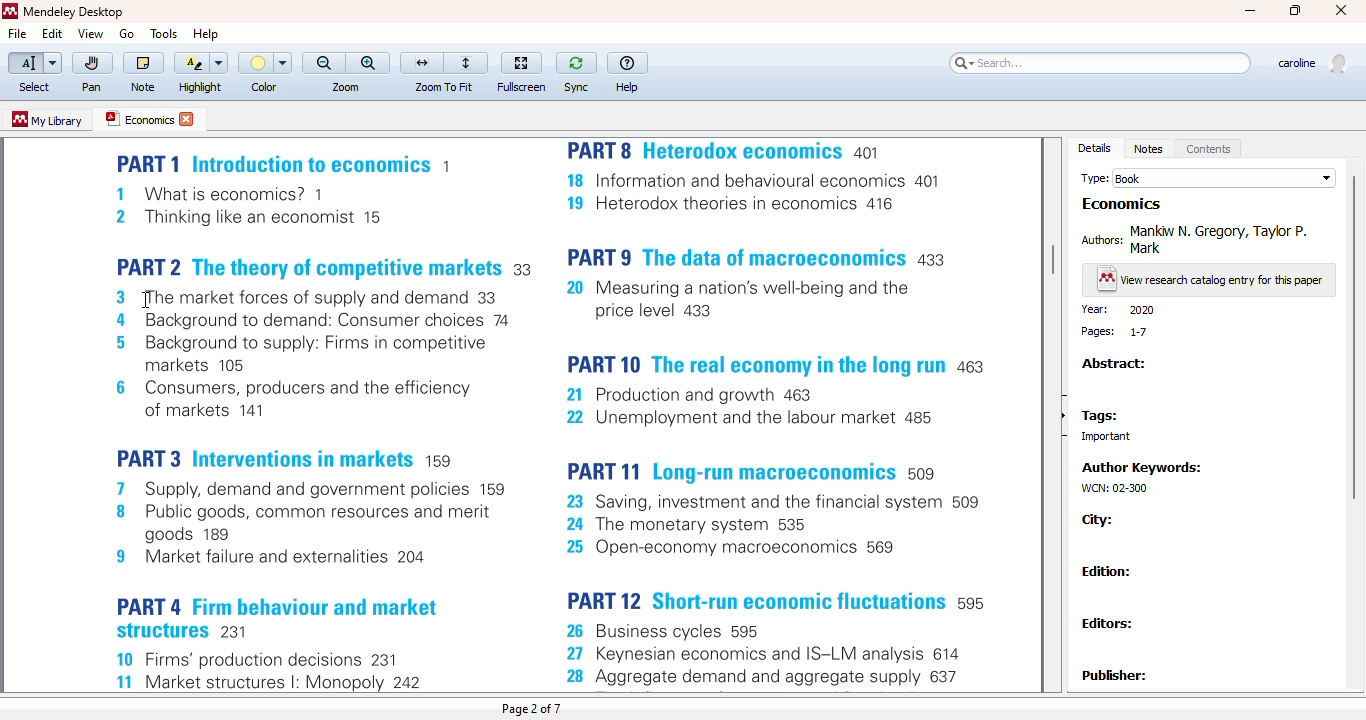  I want to click on note, so click(143, 64).